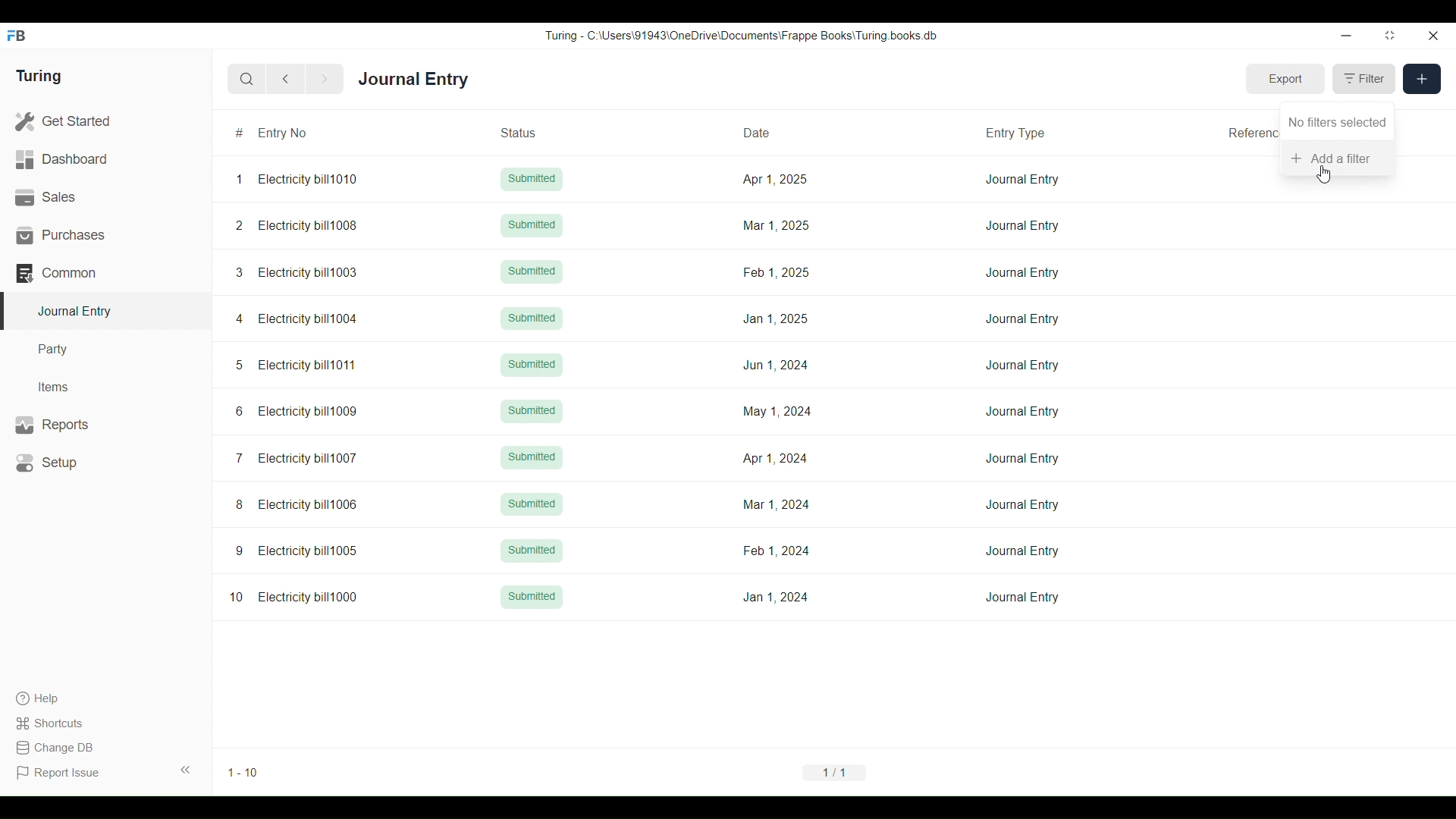 The width and height of the screenshot is (1456, 819). What do you see at coordinates (532, 179) in the screenshot?
I see `Submitted` at bounding box center [532, 179].